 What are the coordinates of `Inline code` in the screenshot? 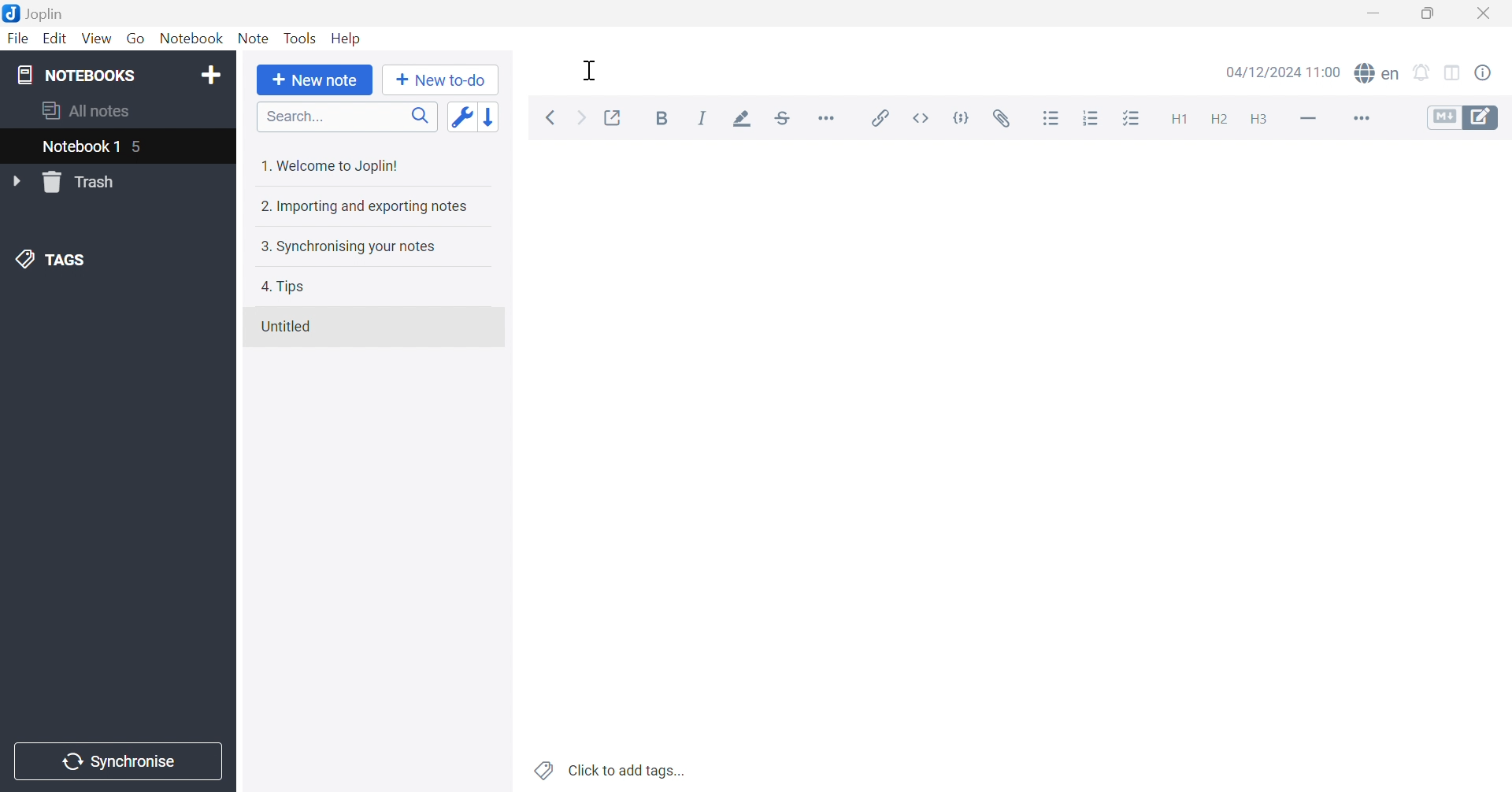 It's located at (919, 117).